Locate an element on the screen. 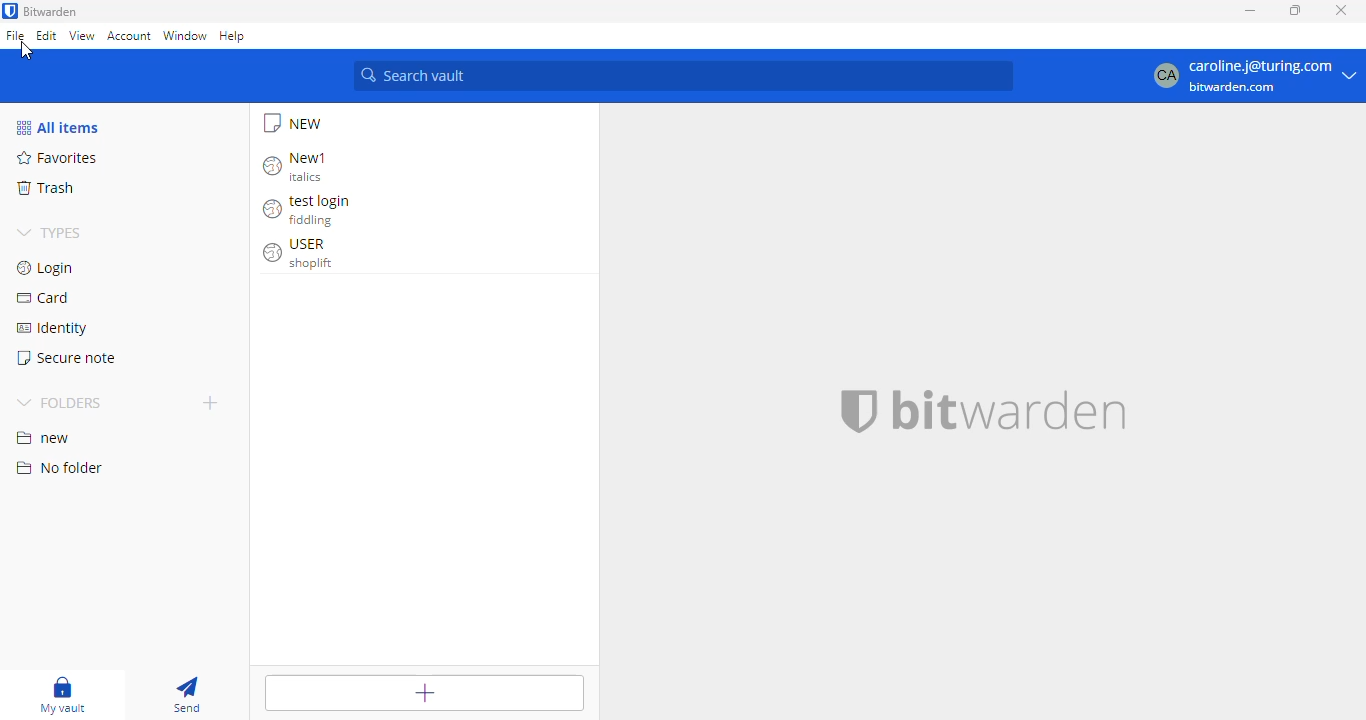 The width and height of the screenshot is (1366, 720). edit is located at coordinates (46, 36).